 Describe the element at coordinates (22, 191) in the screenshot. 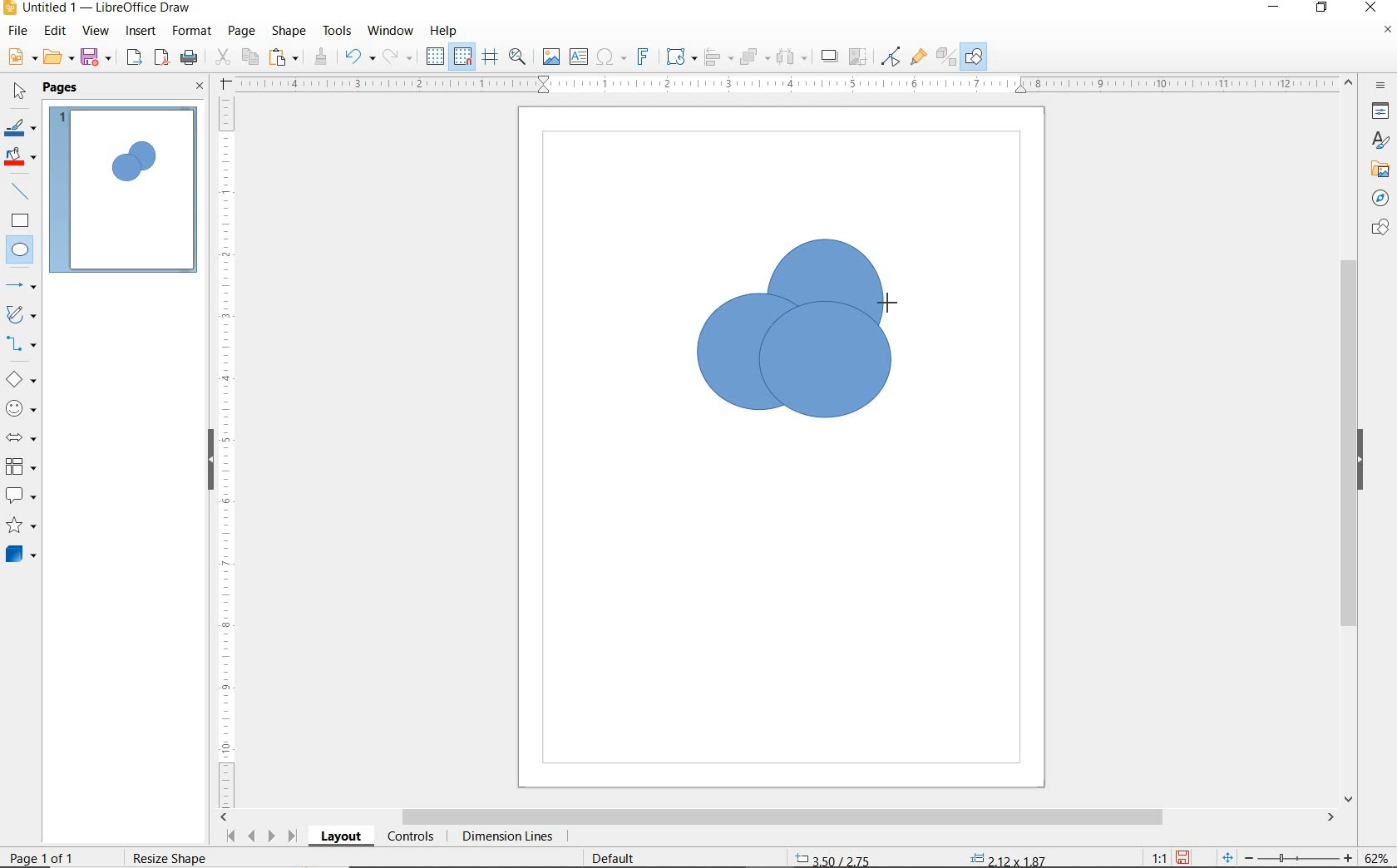

I see `INSERT LINE` at that location.